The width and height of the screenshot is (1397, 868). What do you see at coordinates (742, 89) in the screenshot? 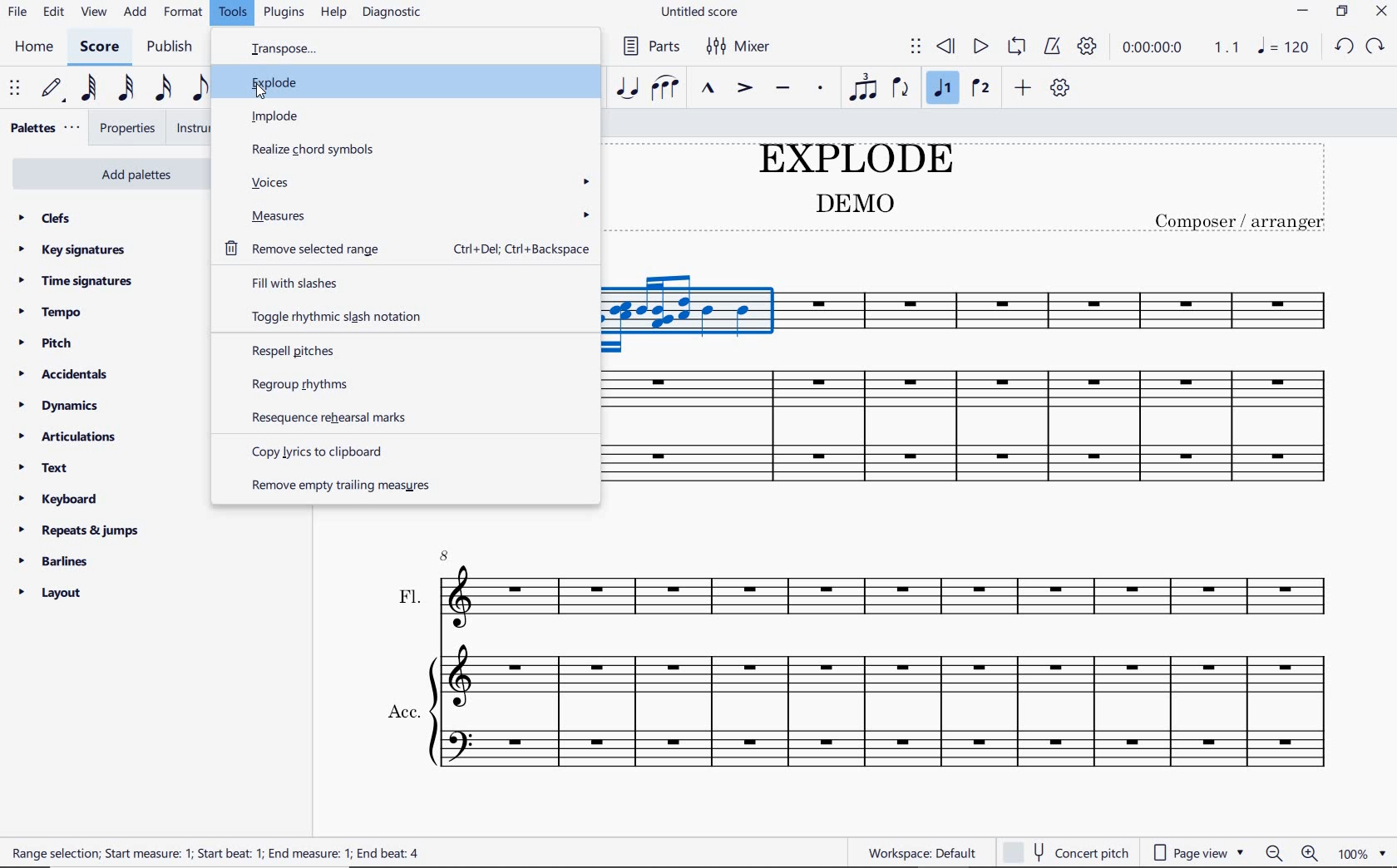
I see `accent` at bounding box center [742, 89].